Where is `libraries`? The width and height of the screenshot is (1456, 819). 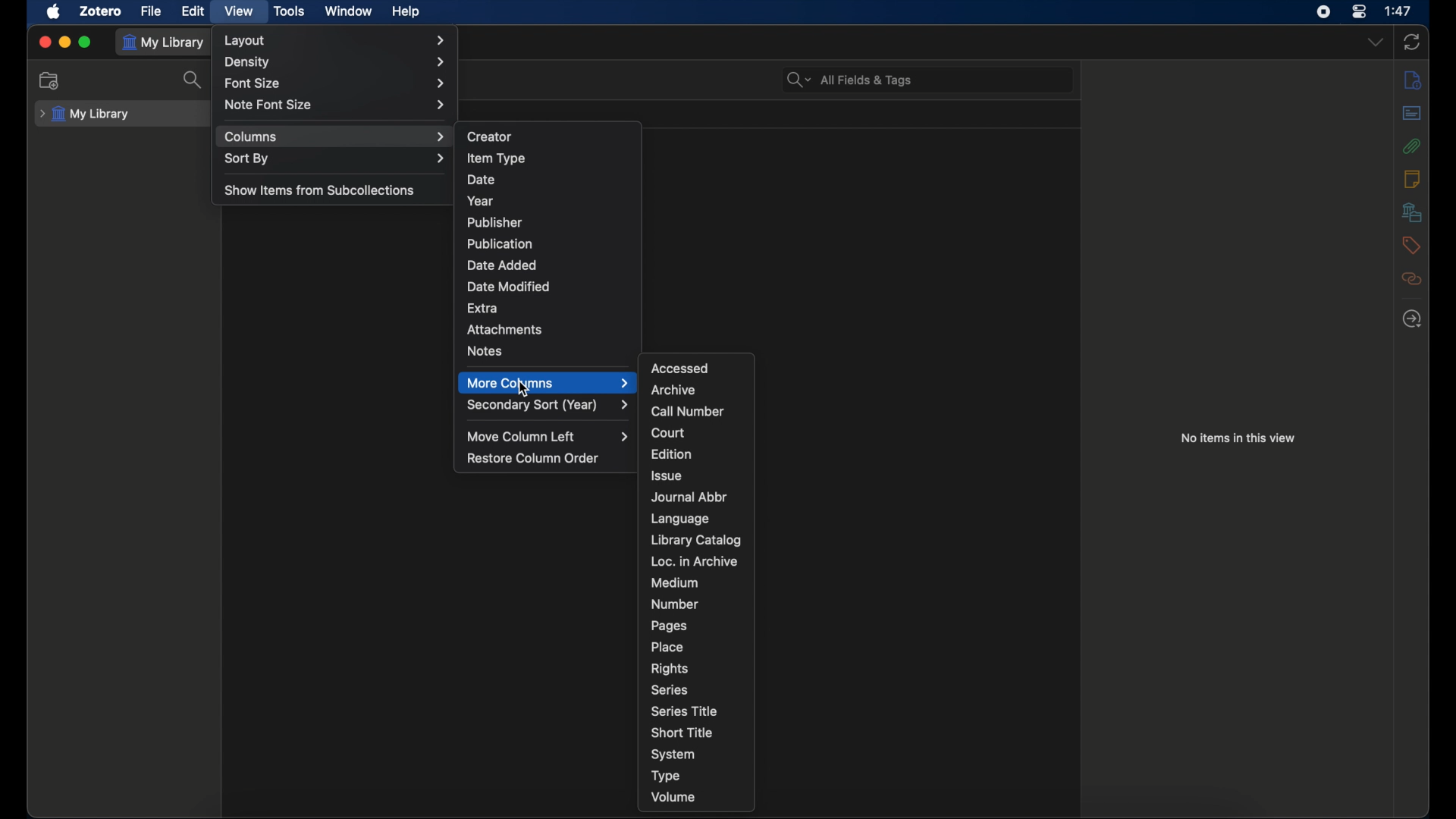
libraries is located at coordinates (1412, 212).